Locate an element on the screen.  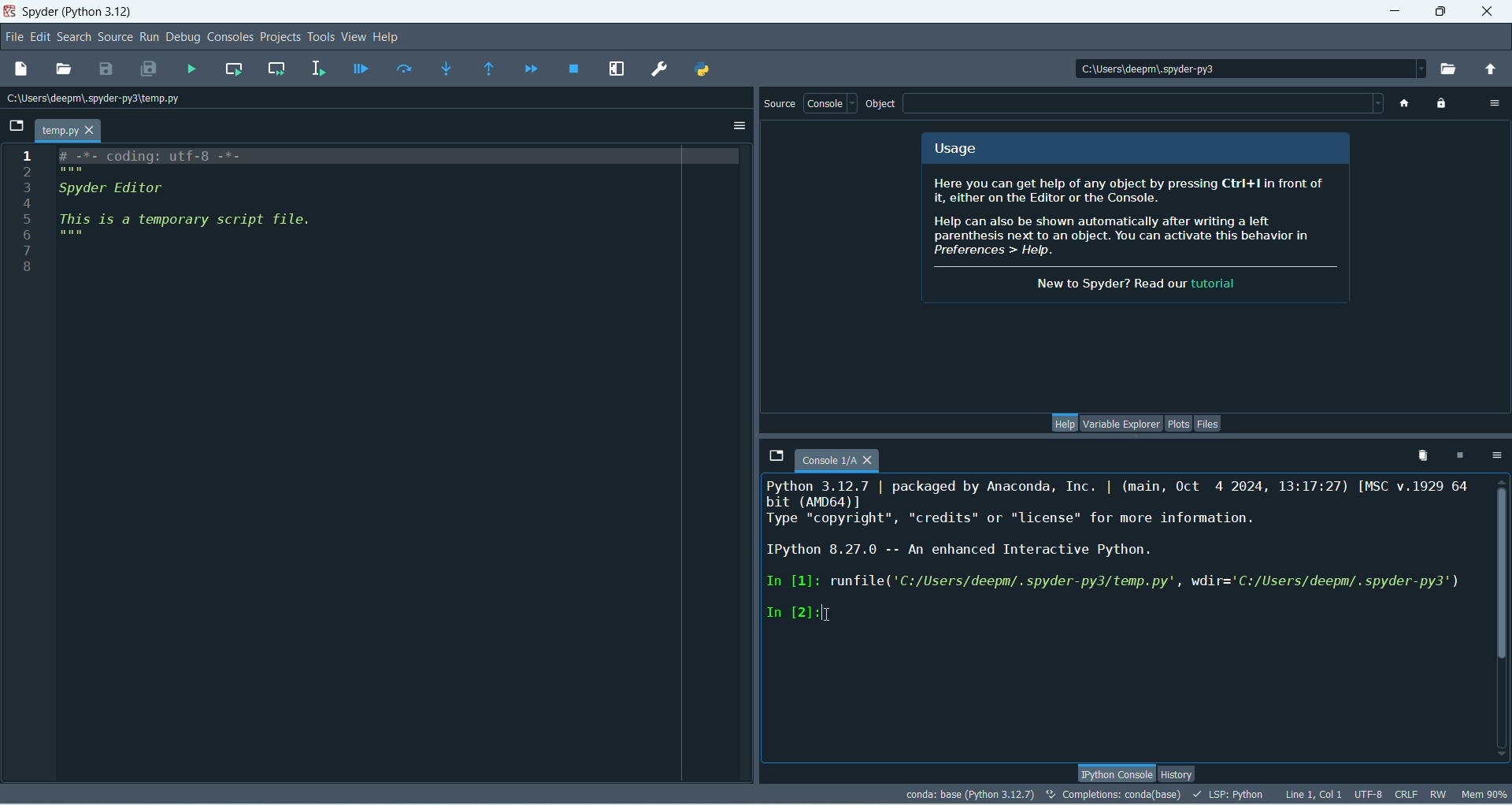
run selection is located at coordinates (318, 69).